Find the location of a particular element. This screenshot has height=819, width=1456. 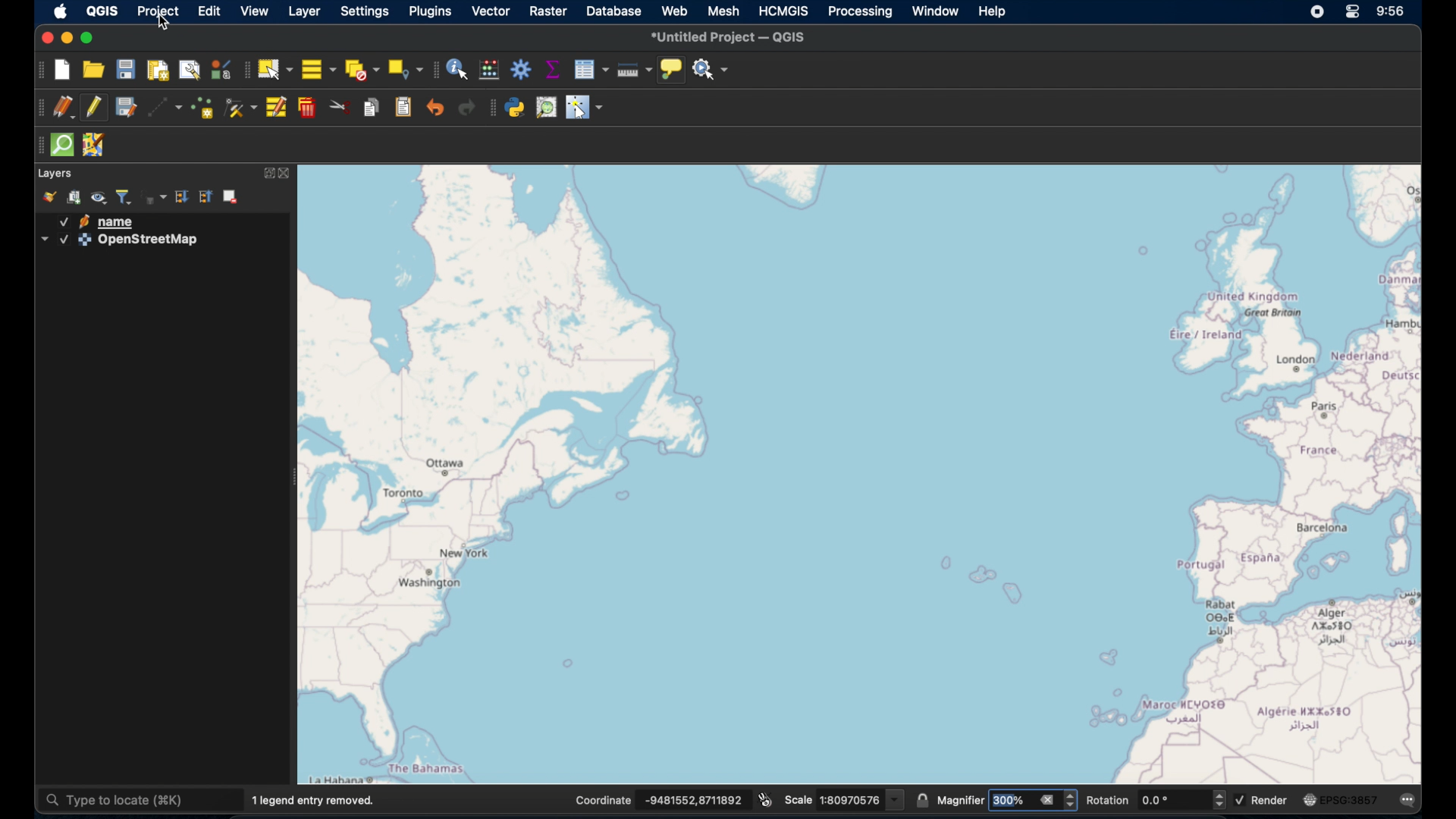

quick som is located at coordinates (64, 146).